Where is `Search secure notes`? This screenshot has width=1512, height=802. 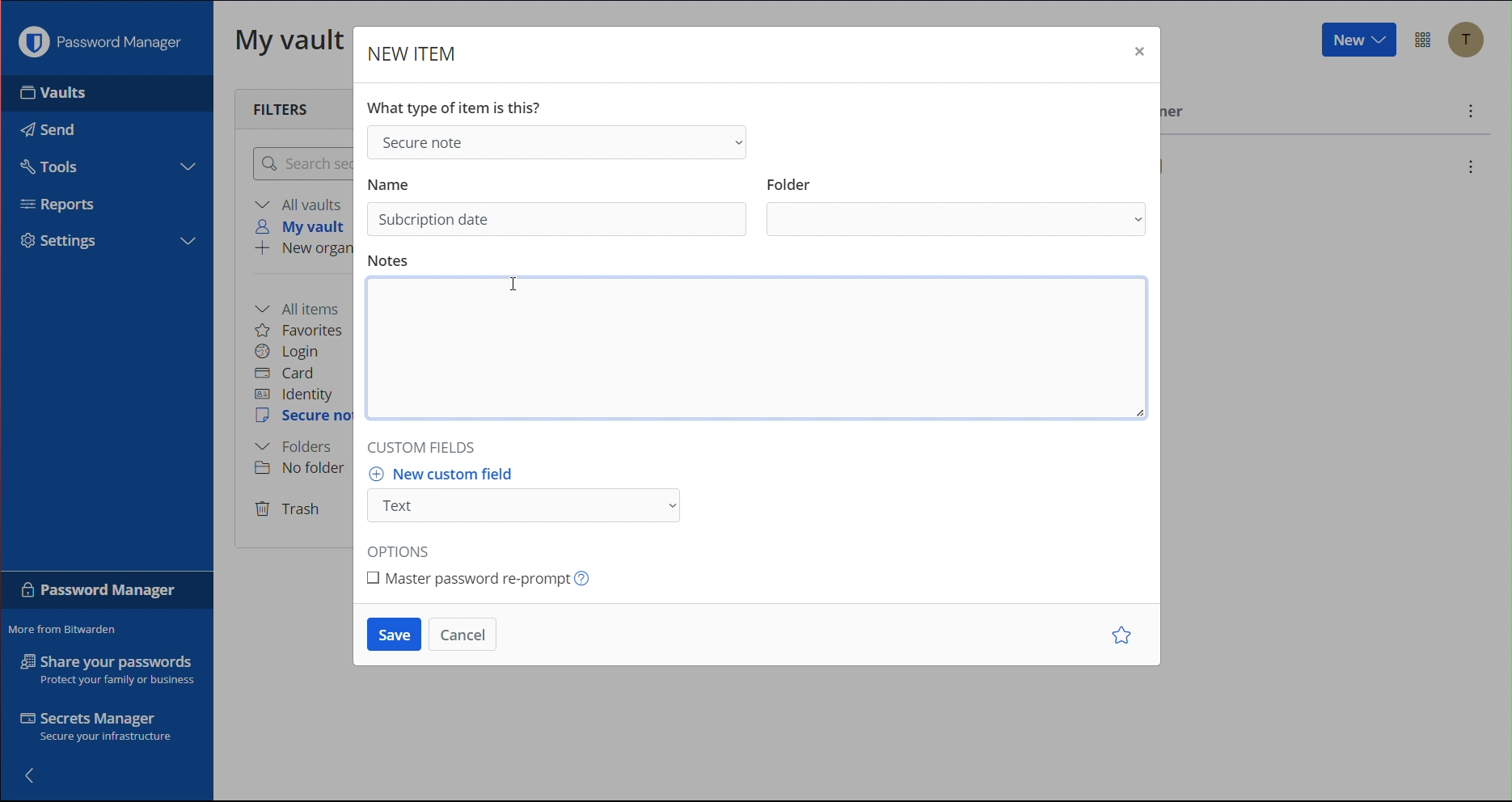
Search secure notes is located at coordinates (300, 163).